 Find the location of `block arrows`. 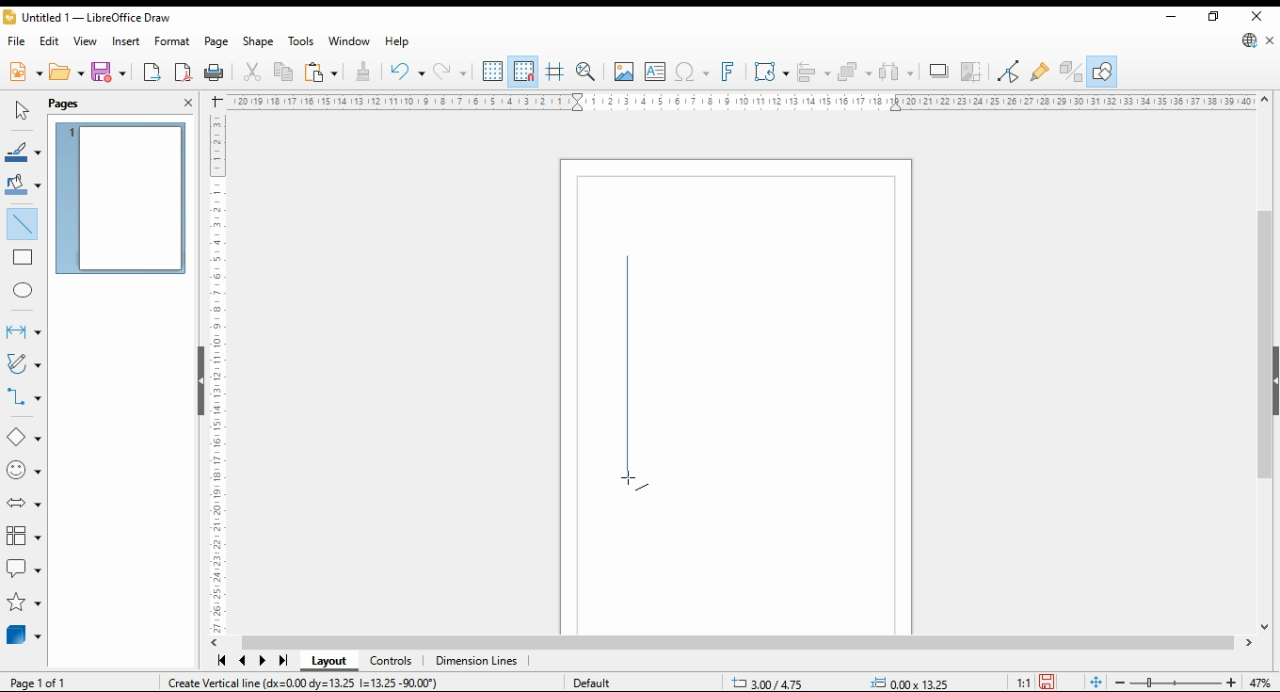

block arrows is located at coordinates (24, 503).